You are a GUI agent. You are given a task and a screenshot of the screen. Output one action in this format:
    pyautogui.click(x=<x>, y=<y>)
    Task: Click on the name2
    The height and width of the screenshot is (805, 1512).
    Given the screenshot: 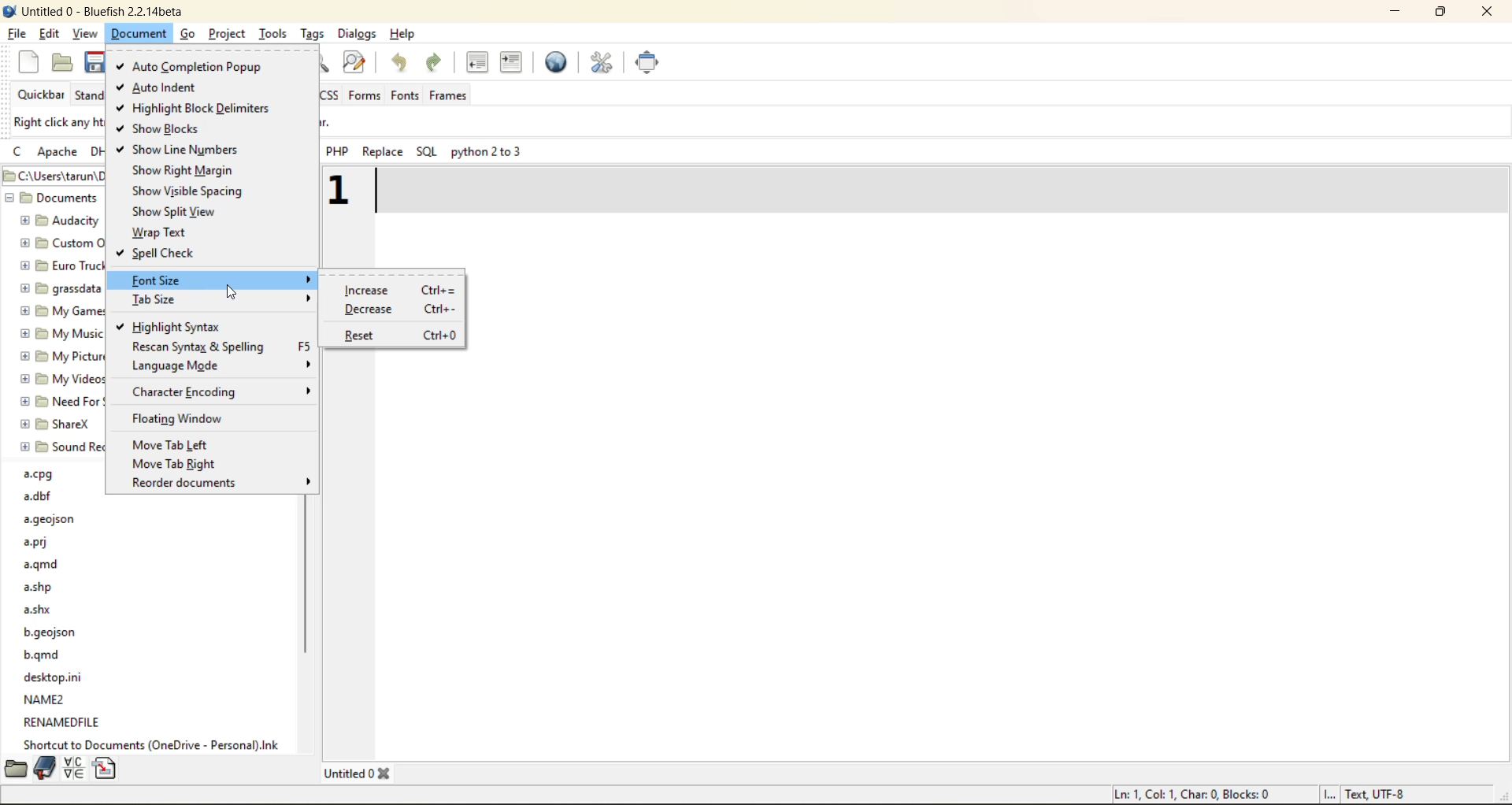 What is the action you would take?
    pyautogui.click(x=46, y=699)
    